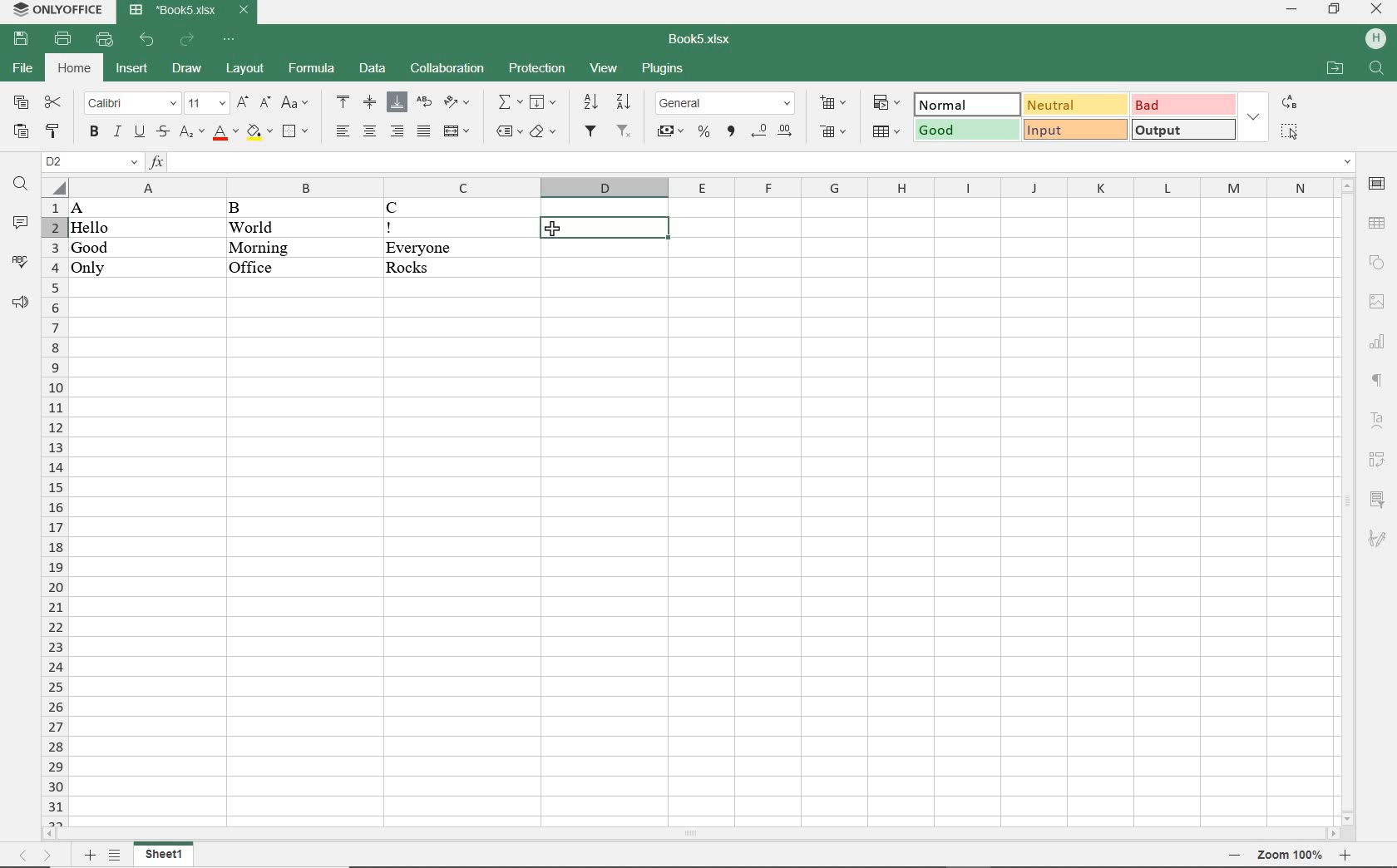 The width and height of the screenshot is (1397, 868). I want to click on feedback & support, so click(21, 304).